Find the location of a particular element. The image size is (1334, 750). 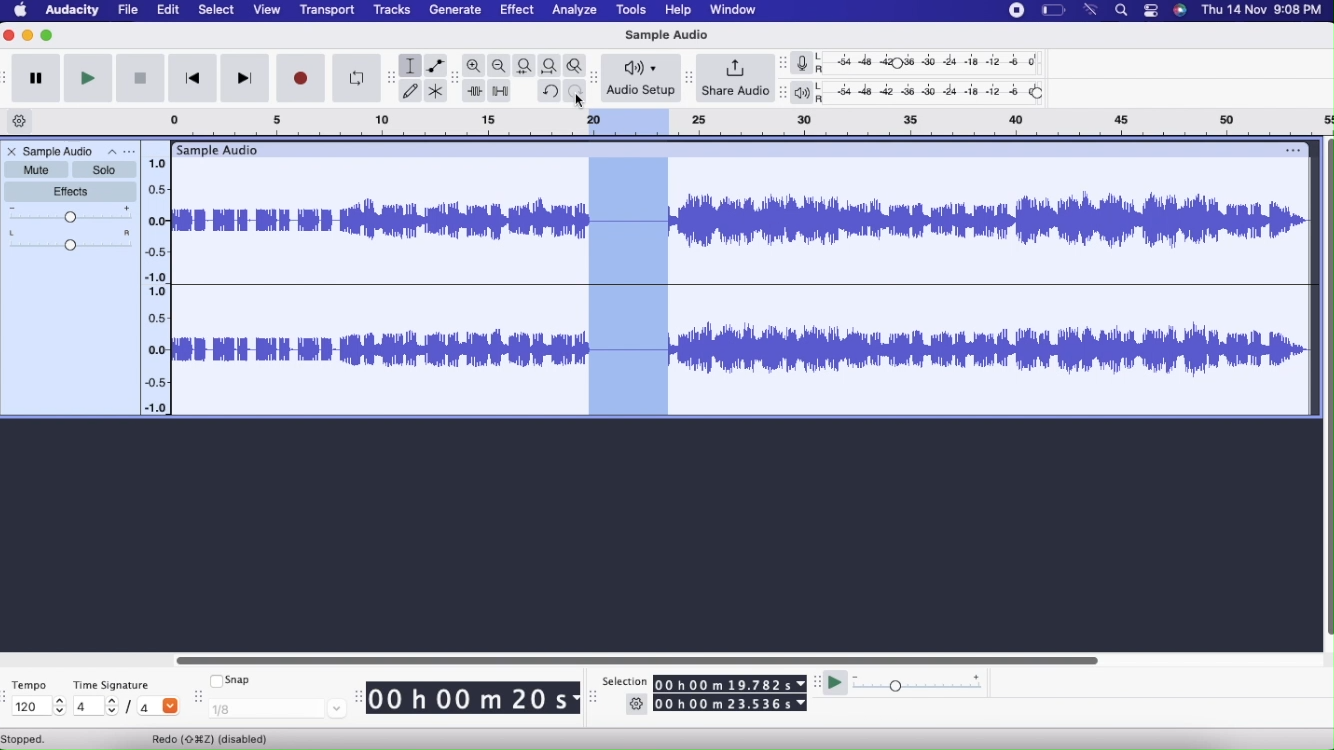

Select is located at coordinates (218, 10).